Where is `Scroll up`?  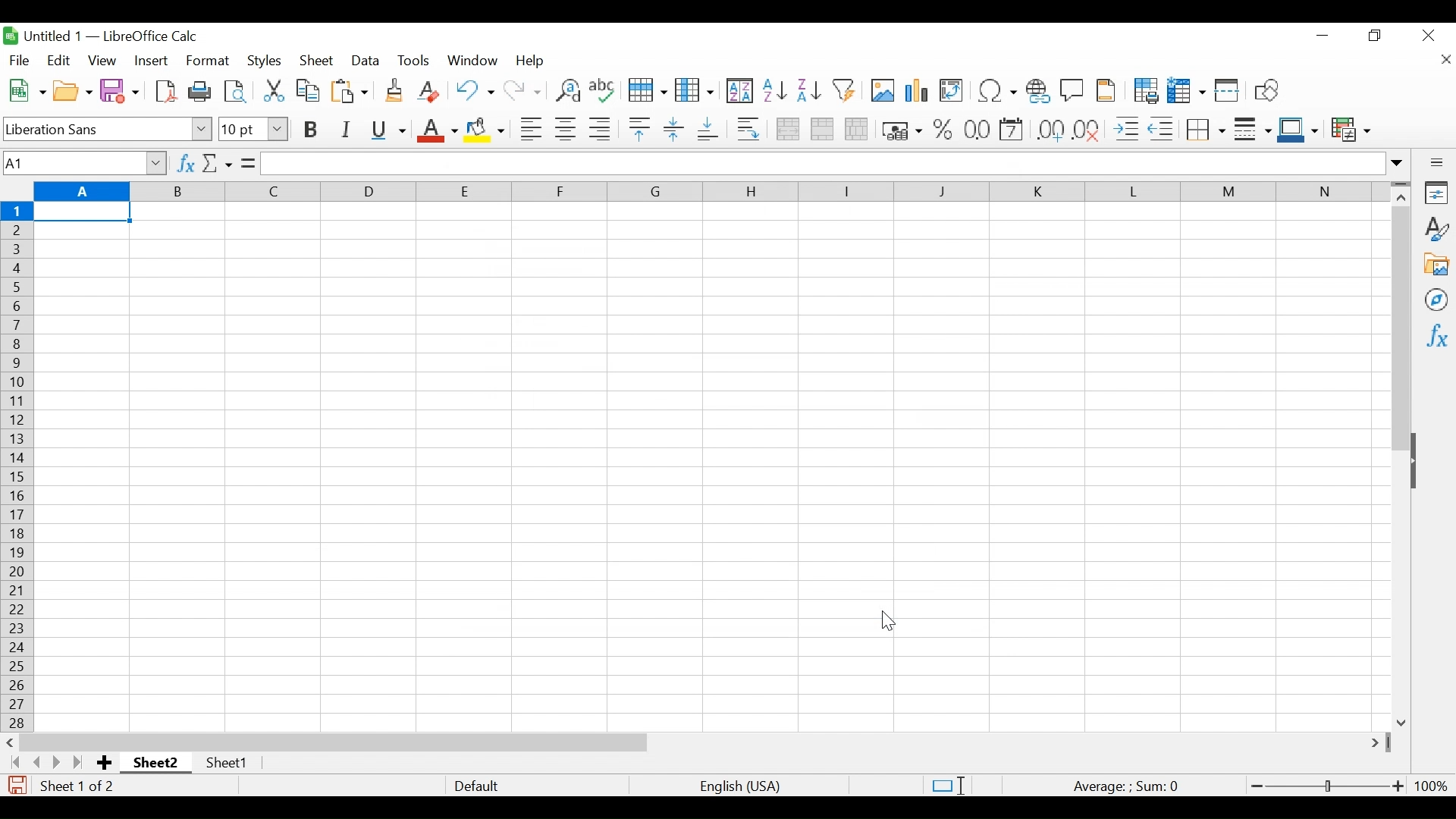 Scroll up is located at coordinates (1401, 199).